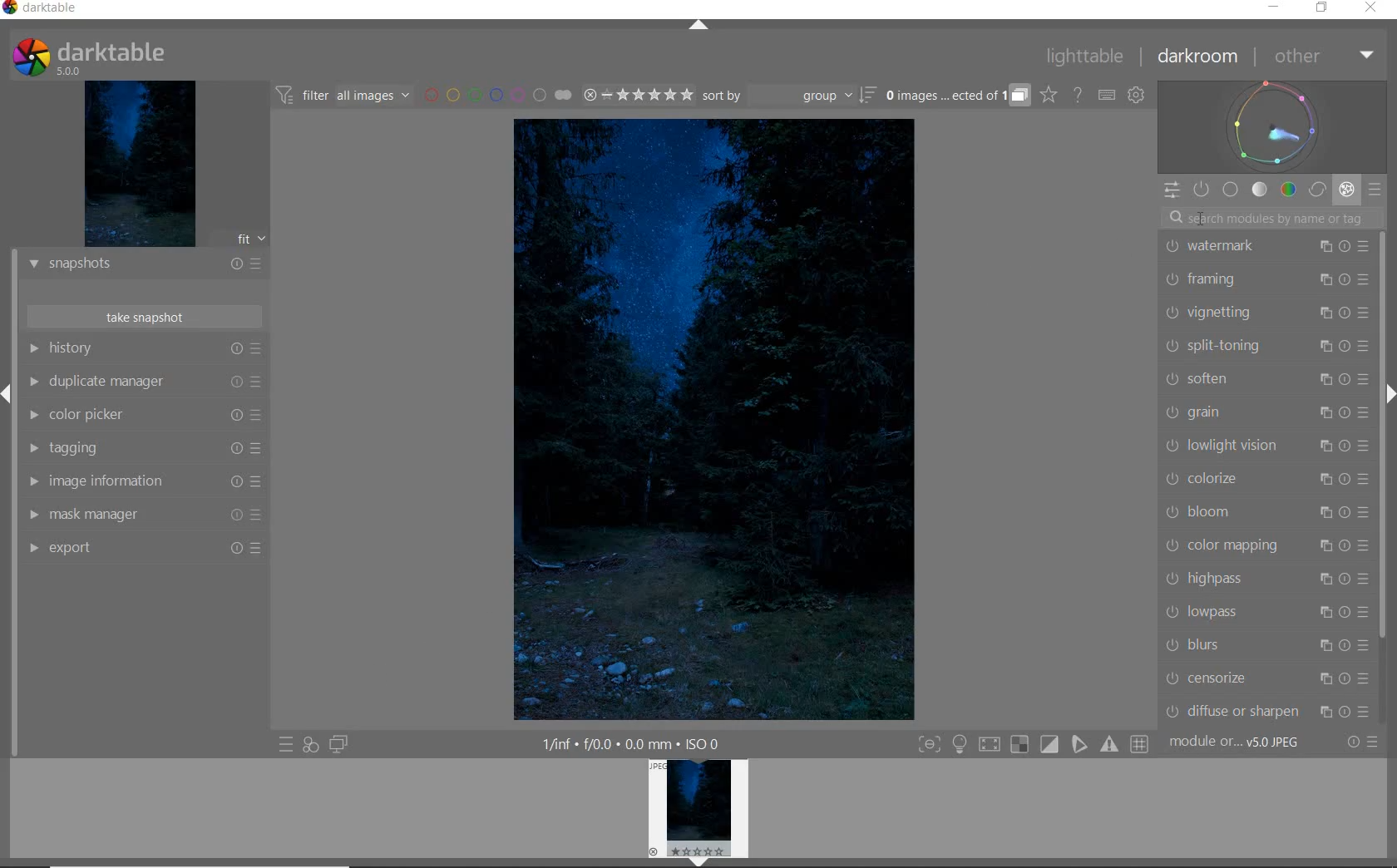 This screenshot has height=868, width=1397. What do you see at coordinates (1376, 188) in the screenshot?
I see `PRESETS` at bounding box center [1376, 188].